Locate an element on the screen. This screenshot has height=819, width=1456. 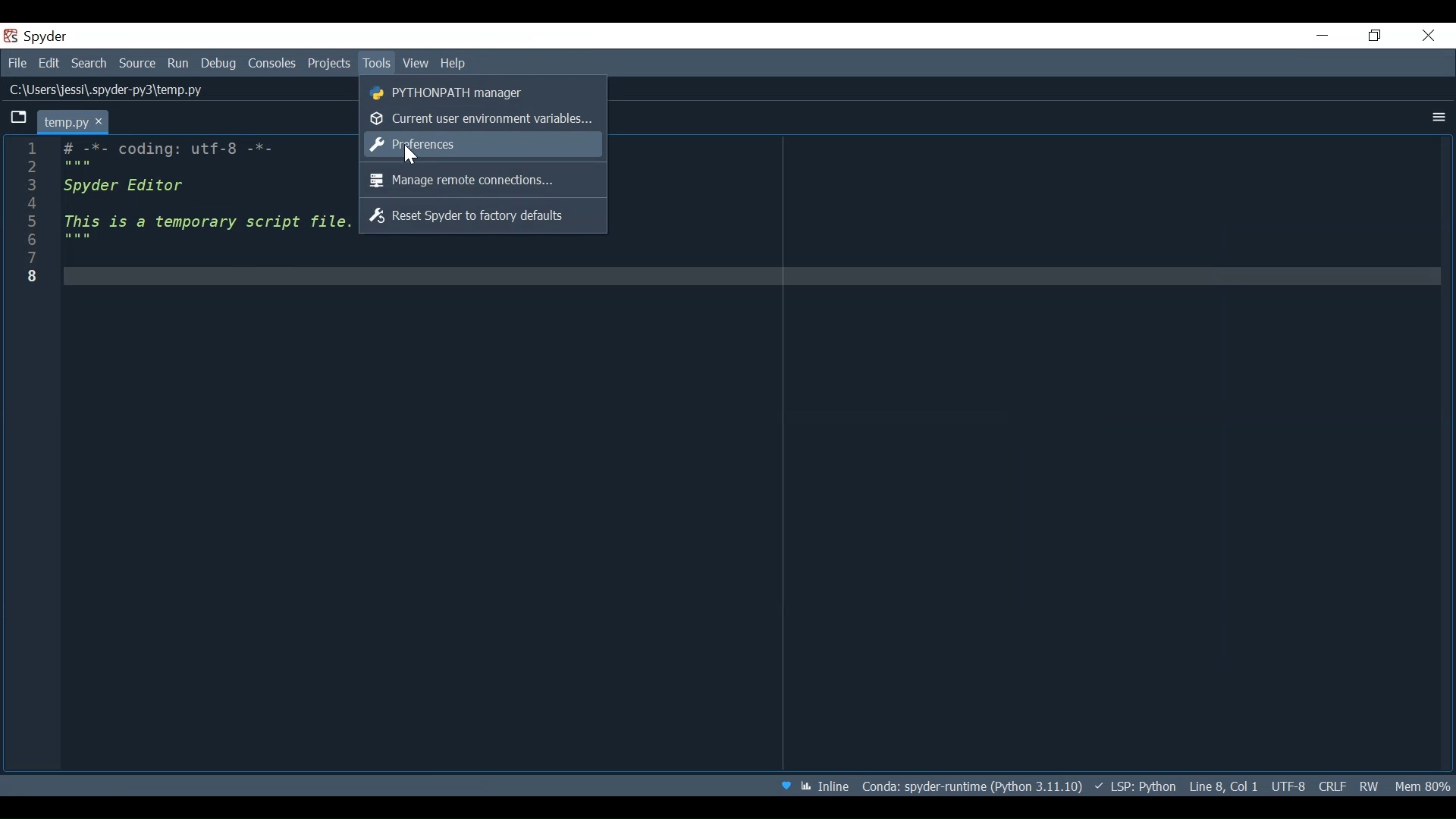
Language is located at coordinates (1180, 787).